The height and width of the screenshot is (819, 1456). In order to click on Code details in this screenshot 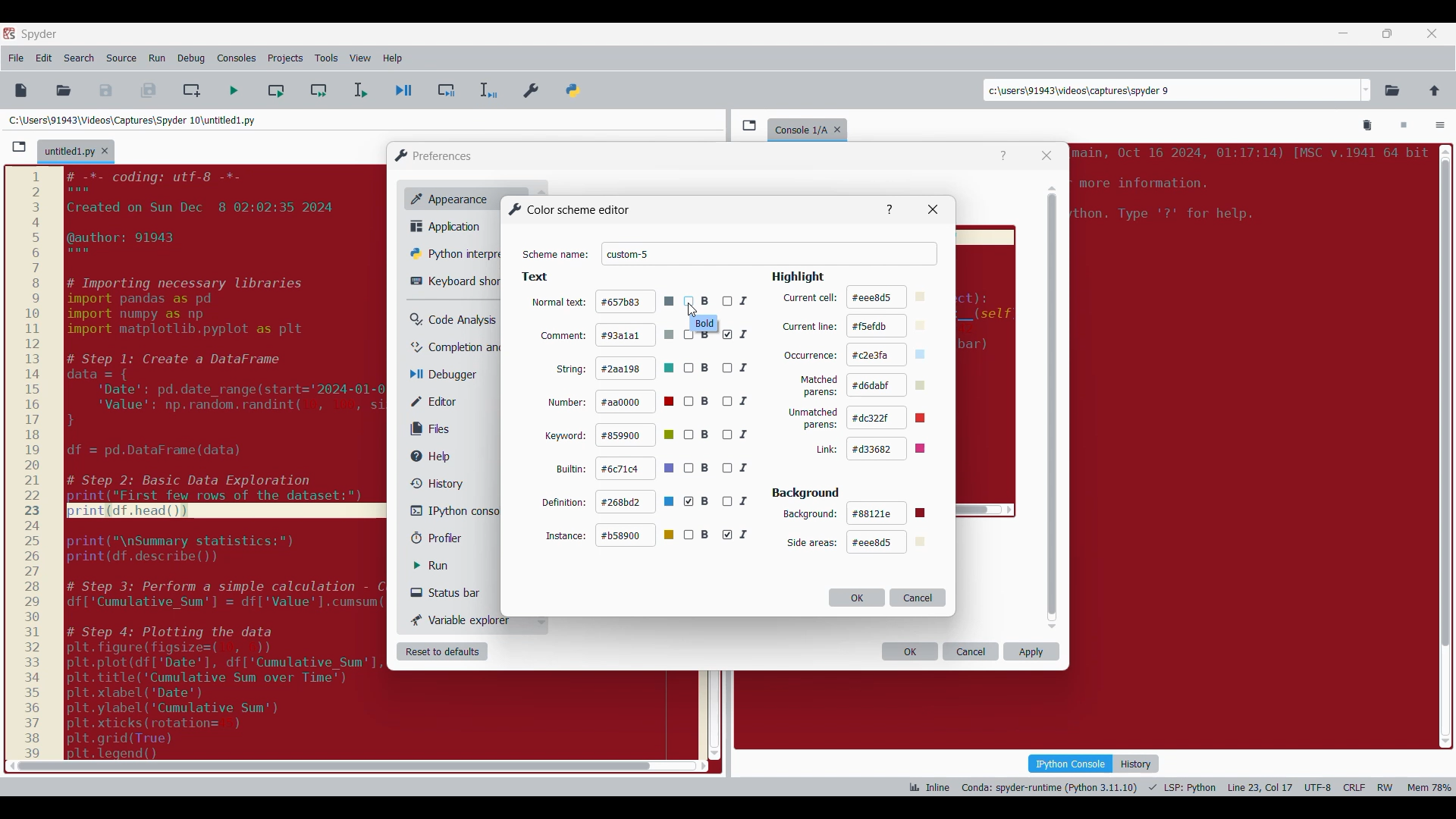, I will do `click(1178, 787)`.